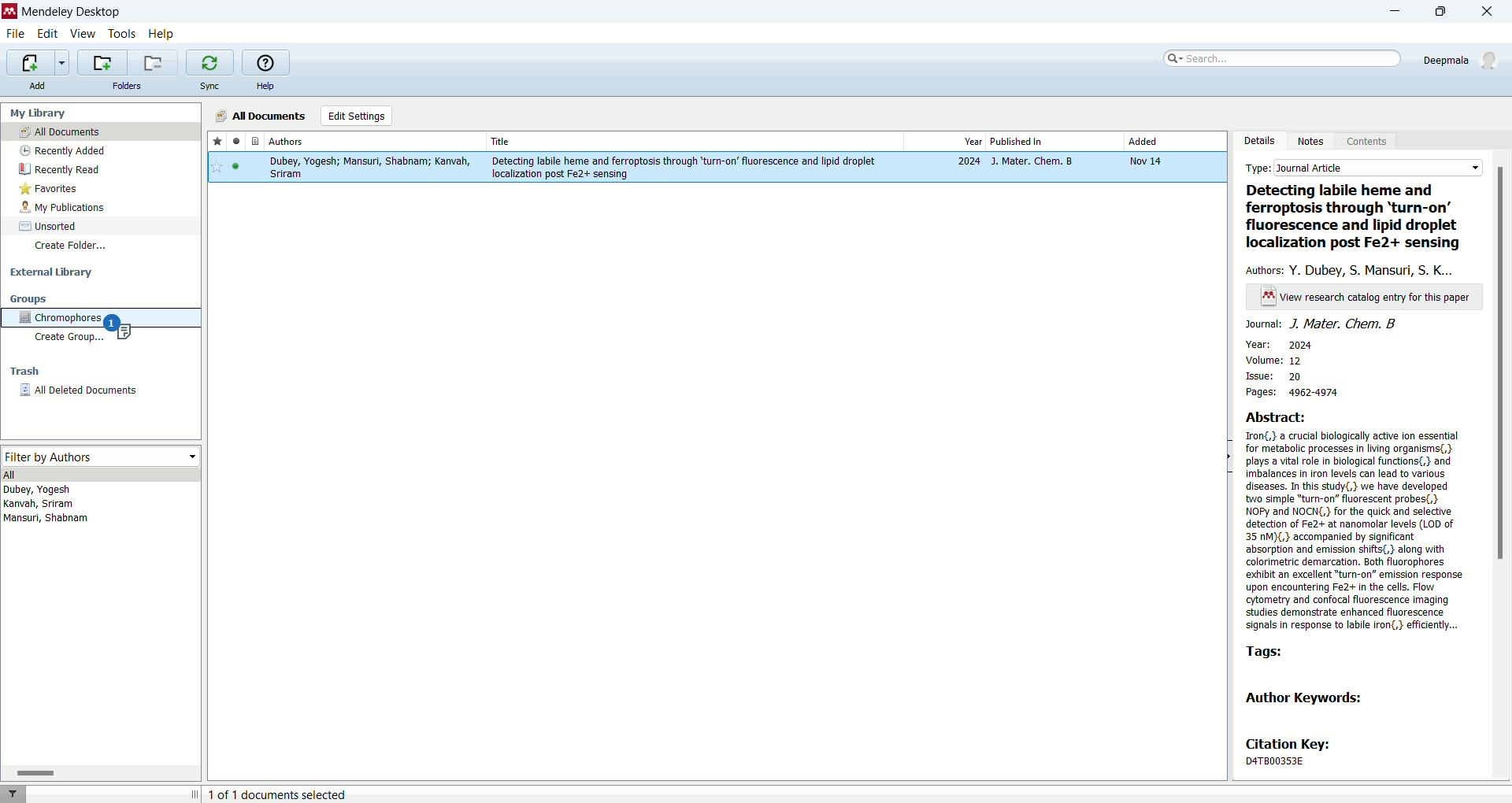 This screenshot has width=1512, height=803. Describe the element at coordinates (1391, 13) in the screenshot. I see `minimize` at that location.